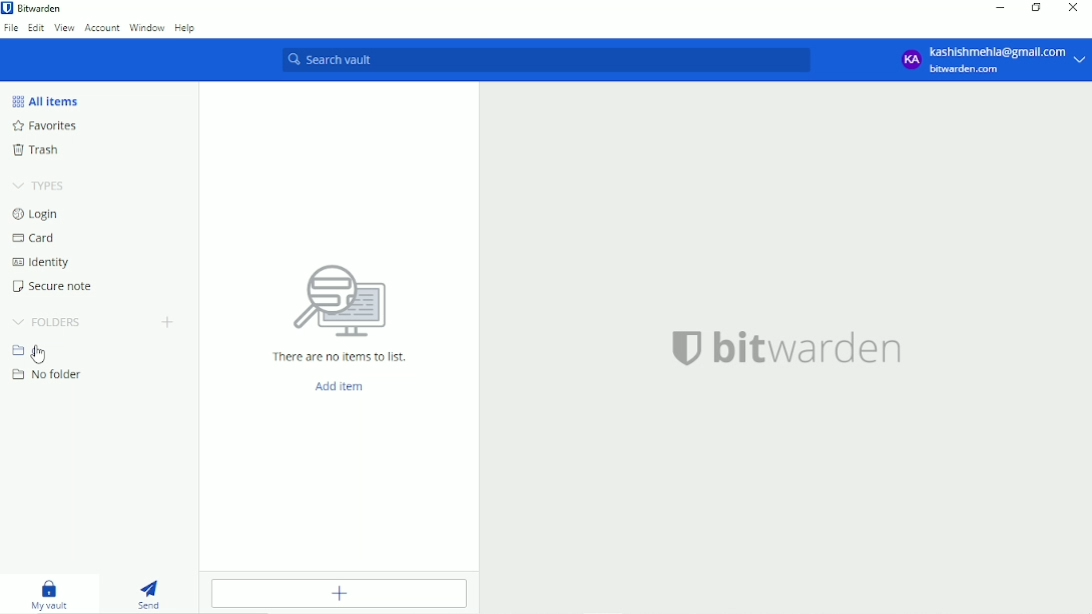  Describe the element at coordinates (102, 28) in the screenshot. I see `Account` at that location.